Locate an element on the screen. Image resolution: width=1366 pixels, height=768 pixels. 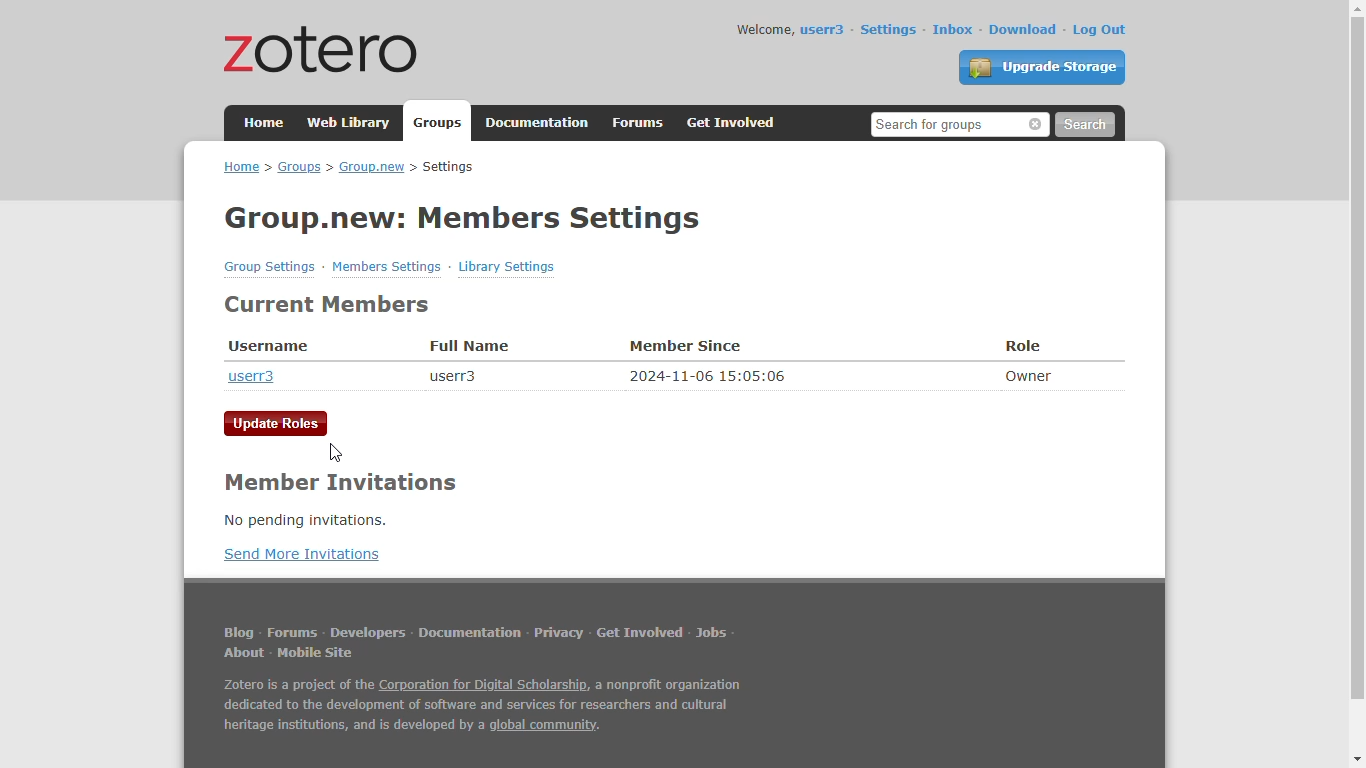
members settings is located at coordinates (386, 266).